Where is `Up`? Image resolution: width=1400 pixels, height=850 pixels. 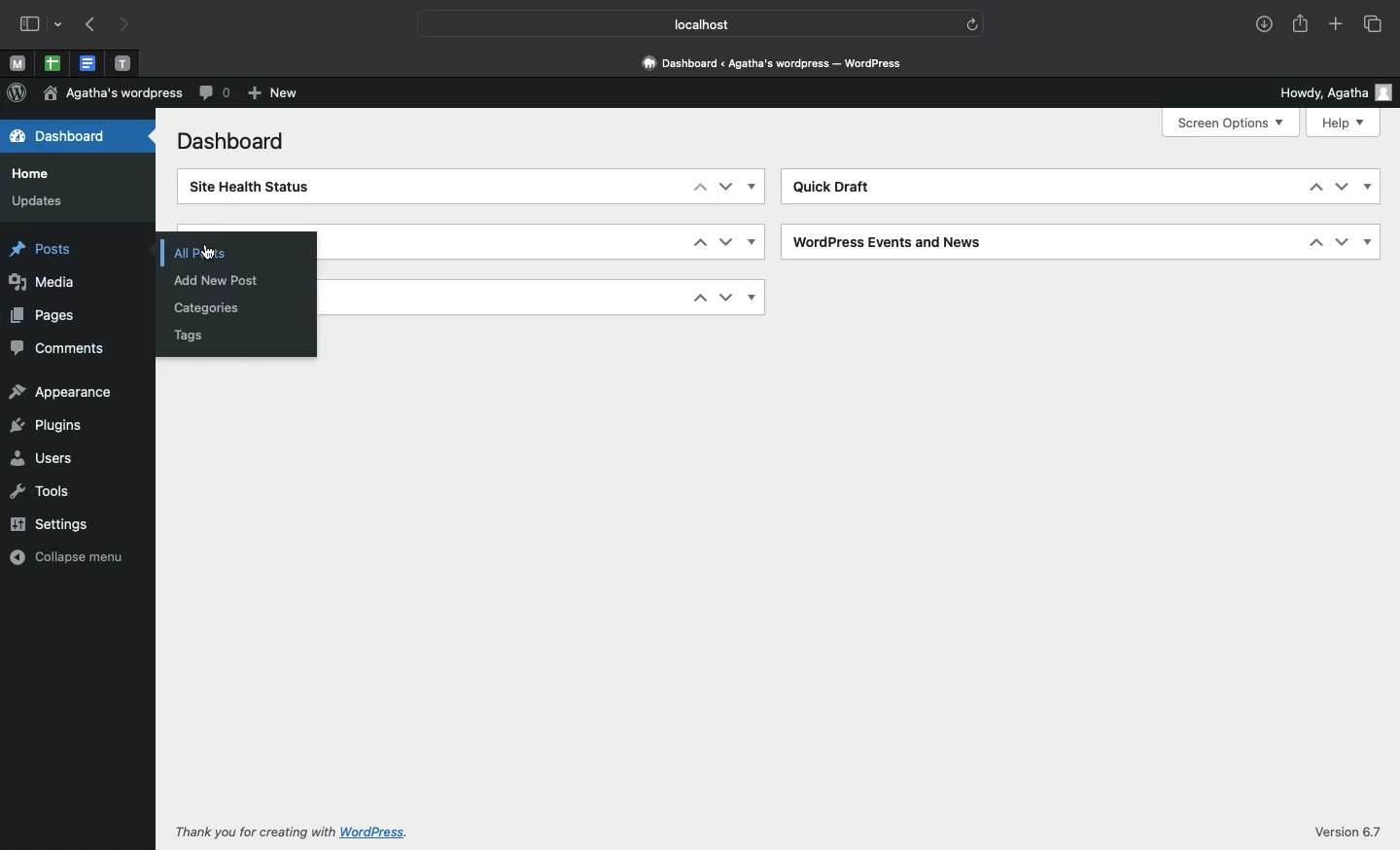 Up is located at coordinates (701, 299).